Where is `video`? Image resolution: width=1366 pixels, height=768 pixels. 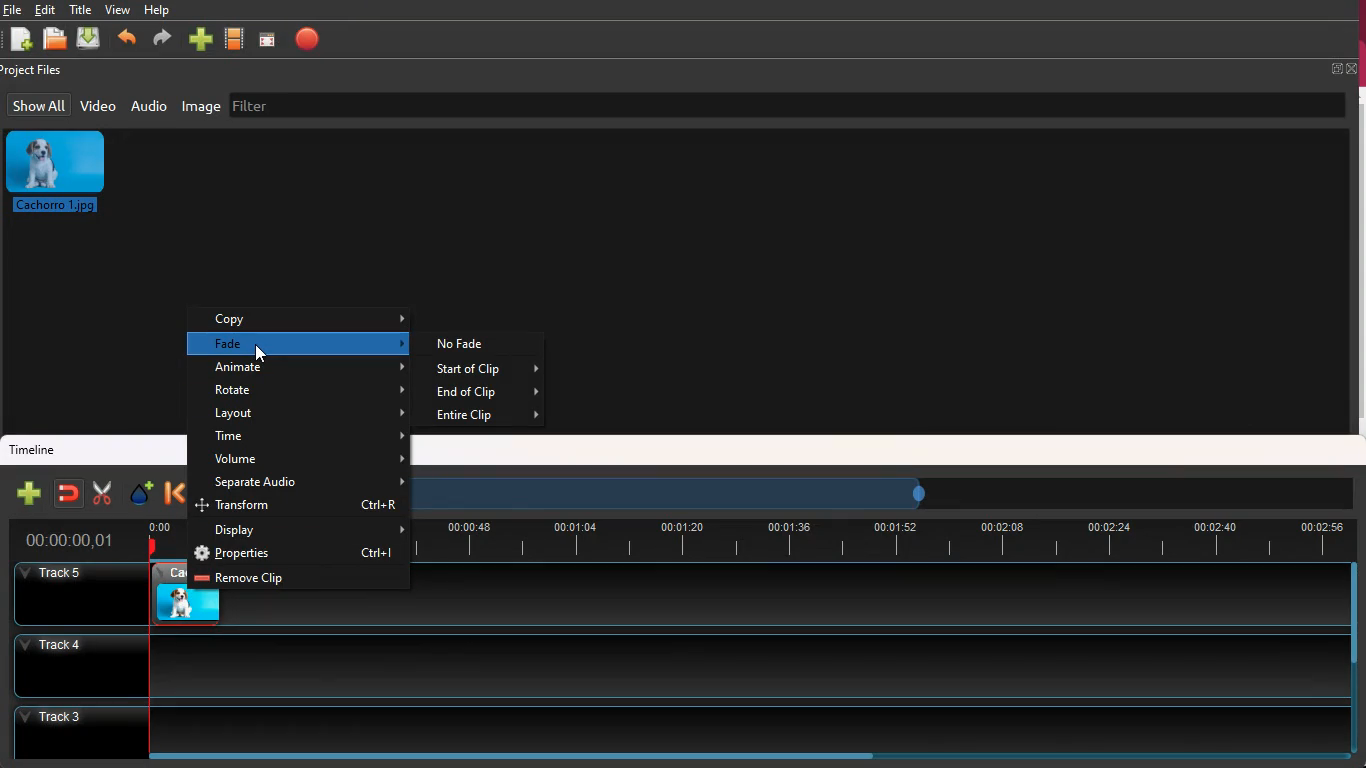
video is located at coordinates (170, 594).